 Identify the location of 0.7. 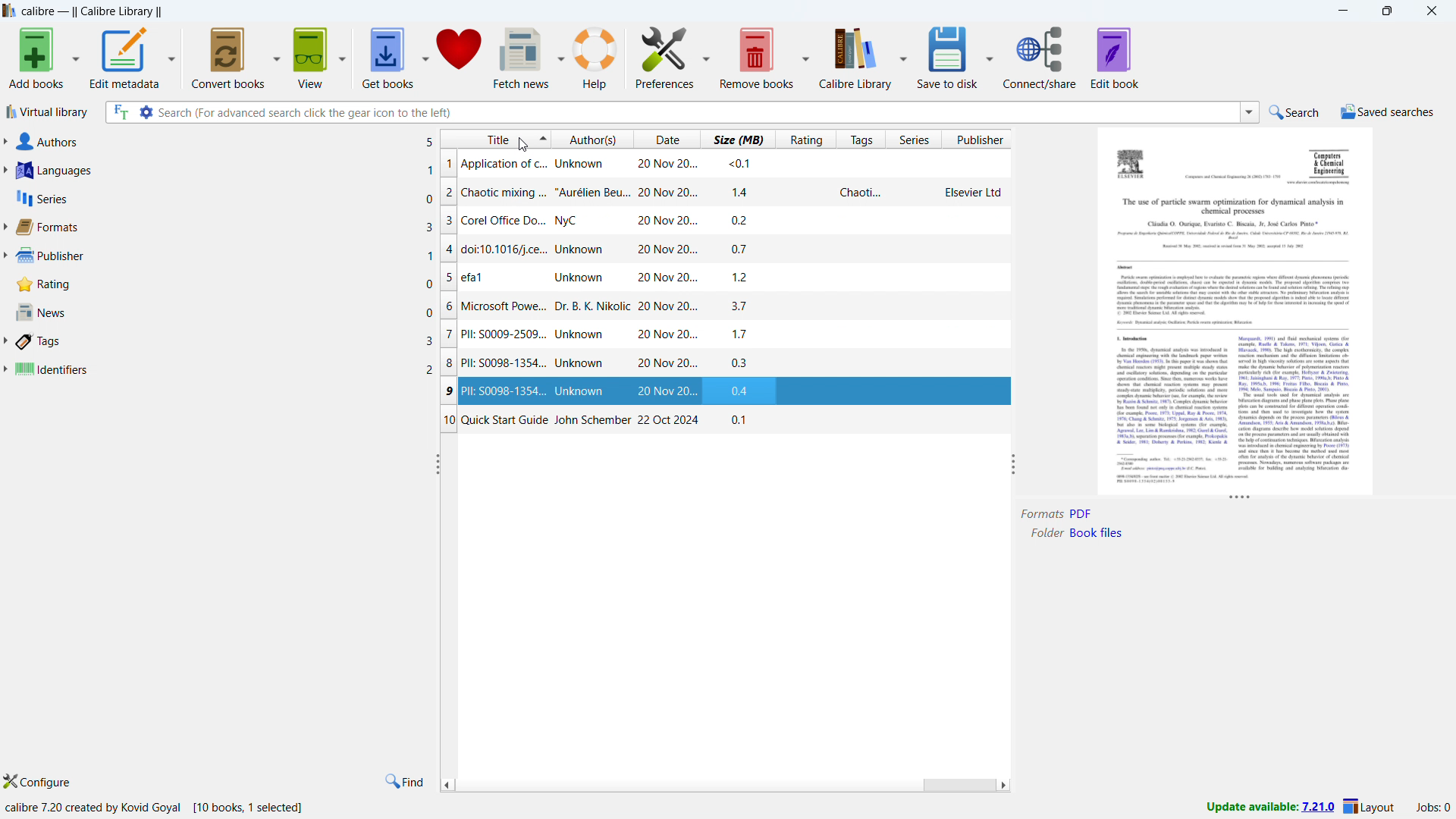
(744, 248).